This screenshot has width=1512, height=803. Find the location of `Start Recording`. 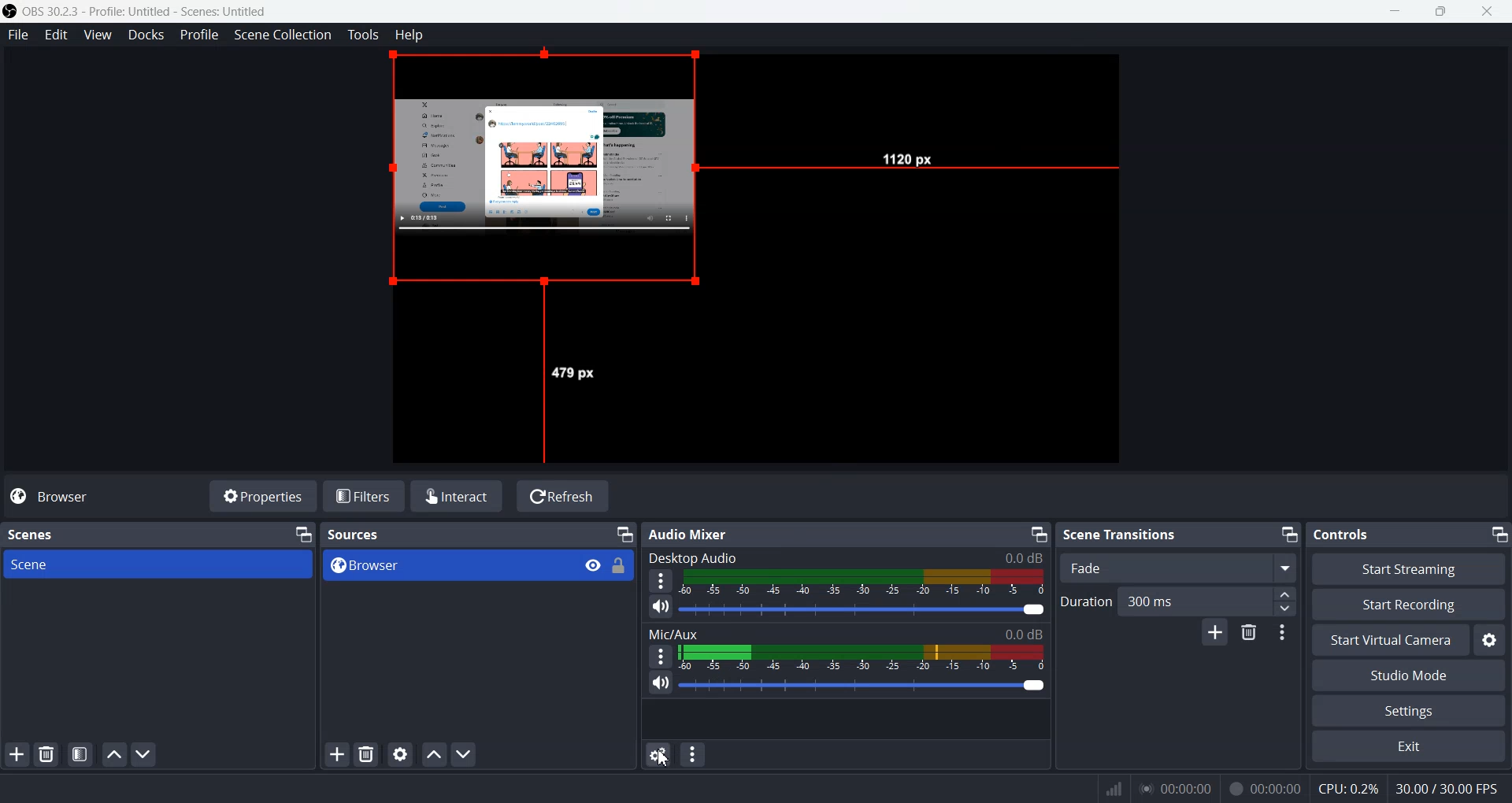

Start Recording is located at coordinates (1408, 604).